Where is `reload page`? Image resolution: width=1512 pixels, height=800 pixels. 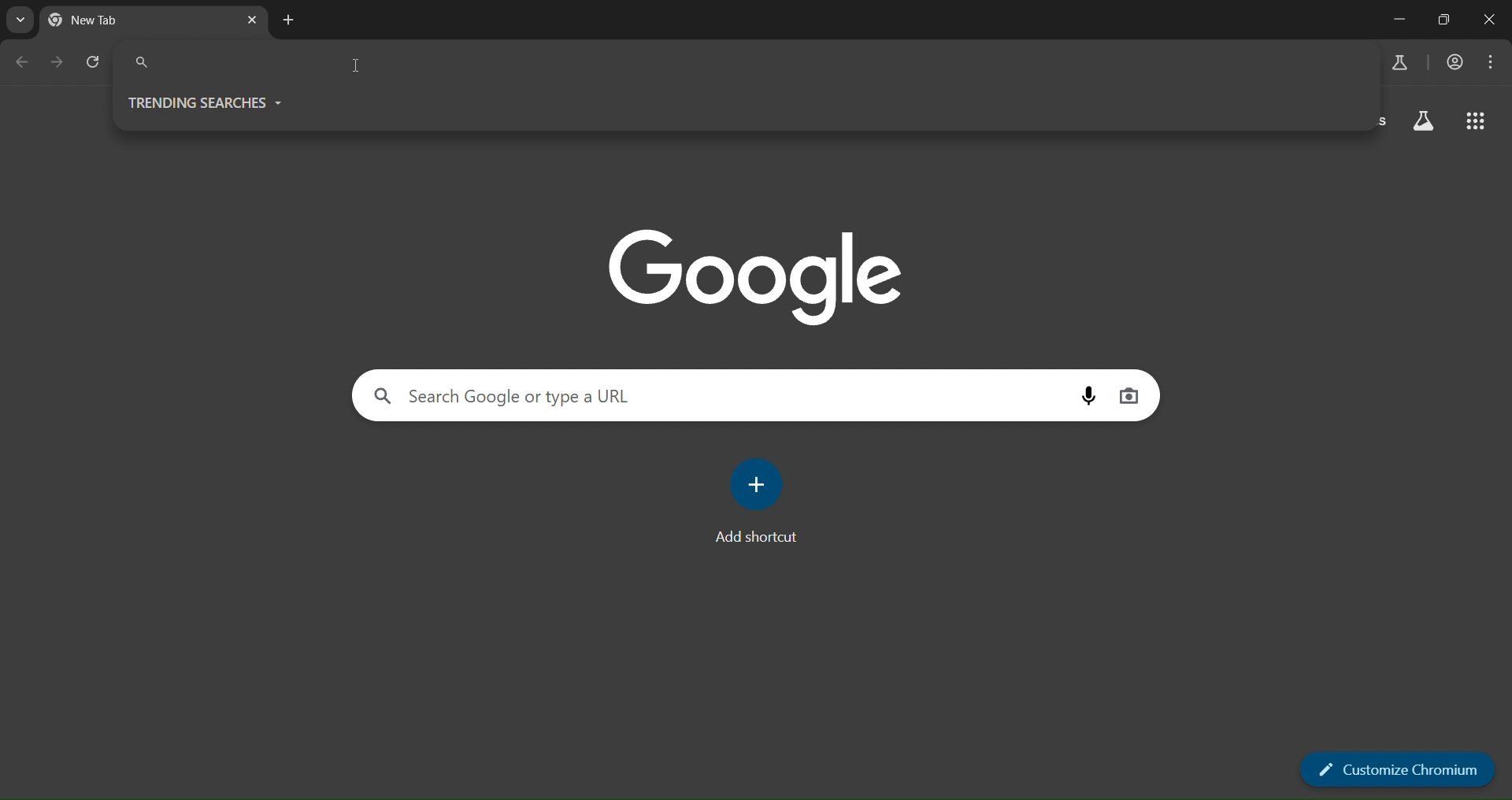 reload page is located at coordinates (95, 62).